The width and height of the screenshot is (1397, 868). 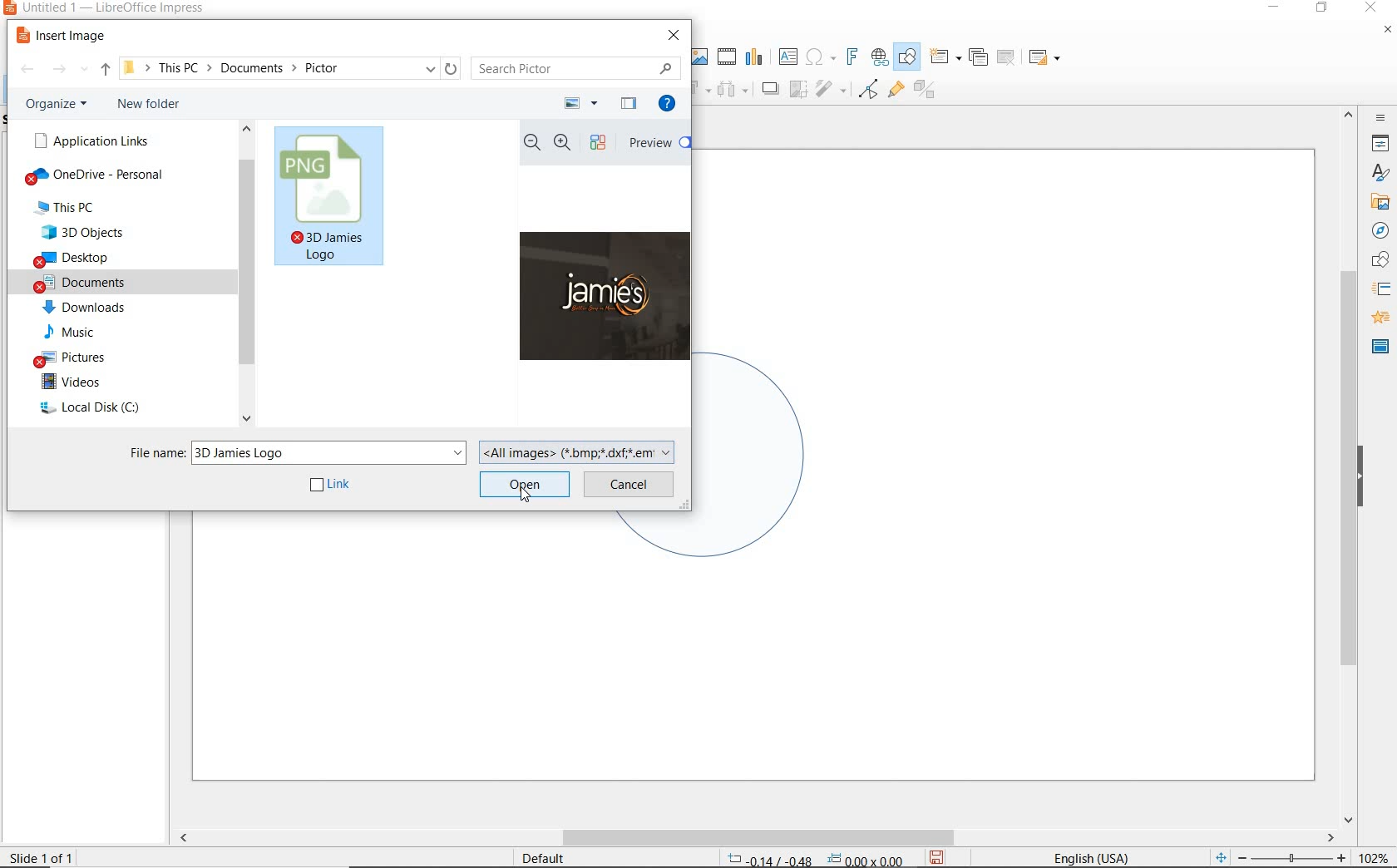 I want to click on file types, so click(x=580, y=451).